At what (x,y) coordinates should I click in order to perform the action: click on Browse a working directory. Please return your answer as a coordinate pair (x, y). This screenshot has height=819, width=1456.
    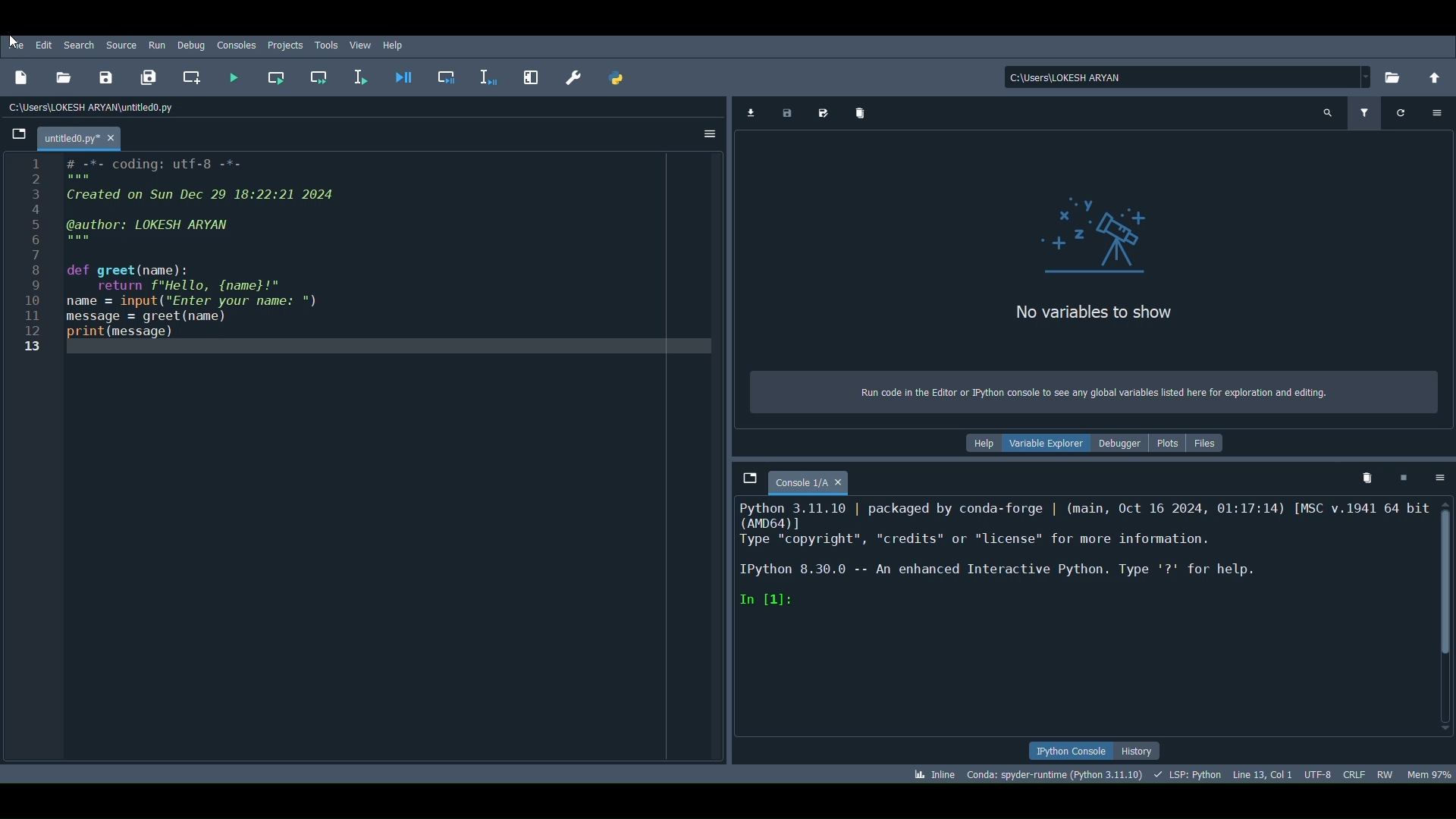
    Looking at the image, I should click on (1393, 75).